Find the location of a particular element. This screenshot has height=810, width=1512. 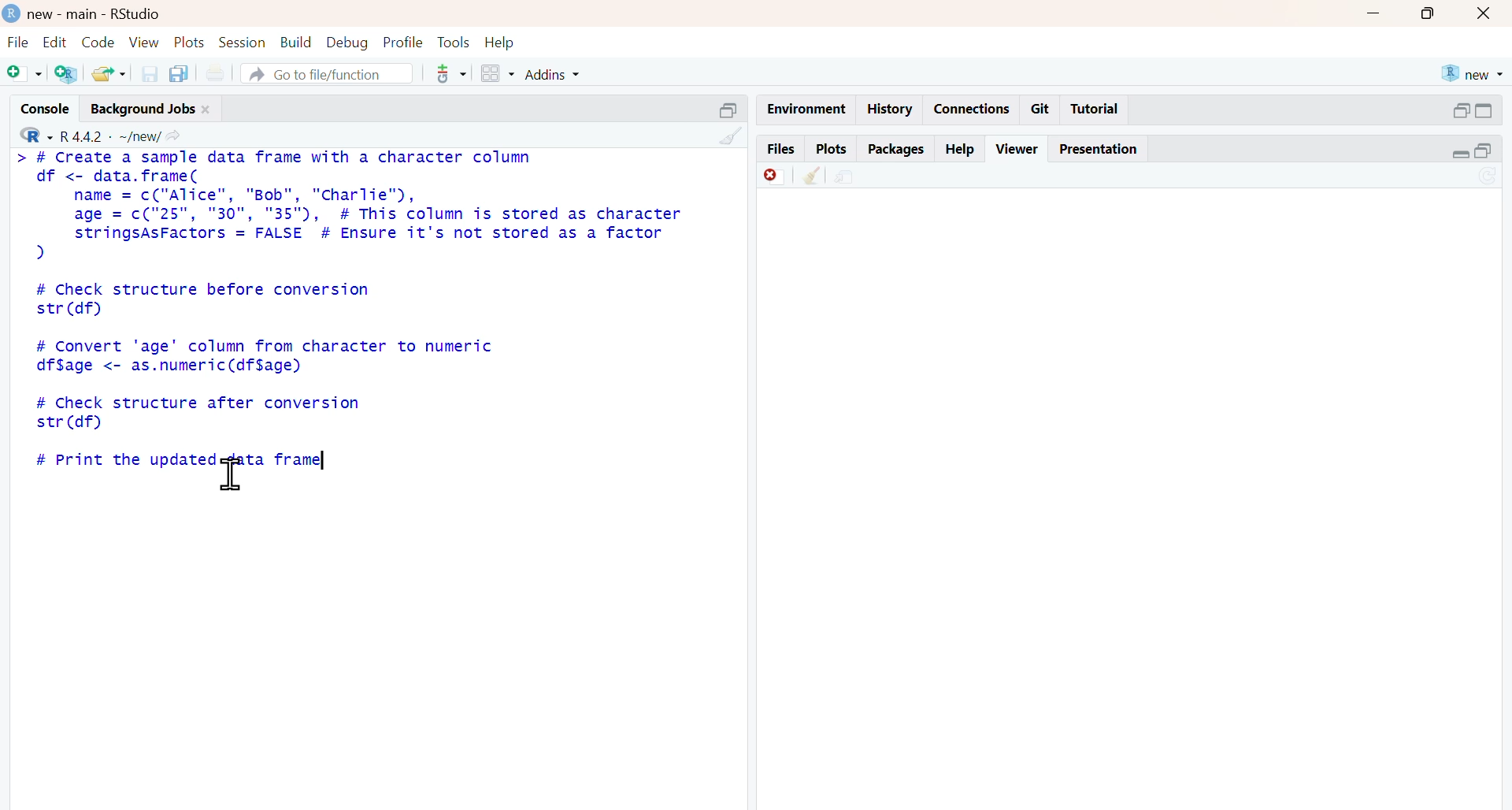

> # Create a sample data frame with a character columndf <- data.frame(name = c("Alice", "Bob", "Charlie"),age = c("25", "30", "35"), # This column is stored as characterstringsAsFactors = FALSE # Ensure it's not stored as a factor)# Check structure before conversionstr (df)# Convert 'age' column from character to numericdf$age <- as.numeric(df$age)# Check structure after conversionstr (df)# Print the updated data frame is located at coordinates (351, 318).